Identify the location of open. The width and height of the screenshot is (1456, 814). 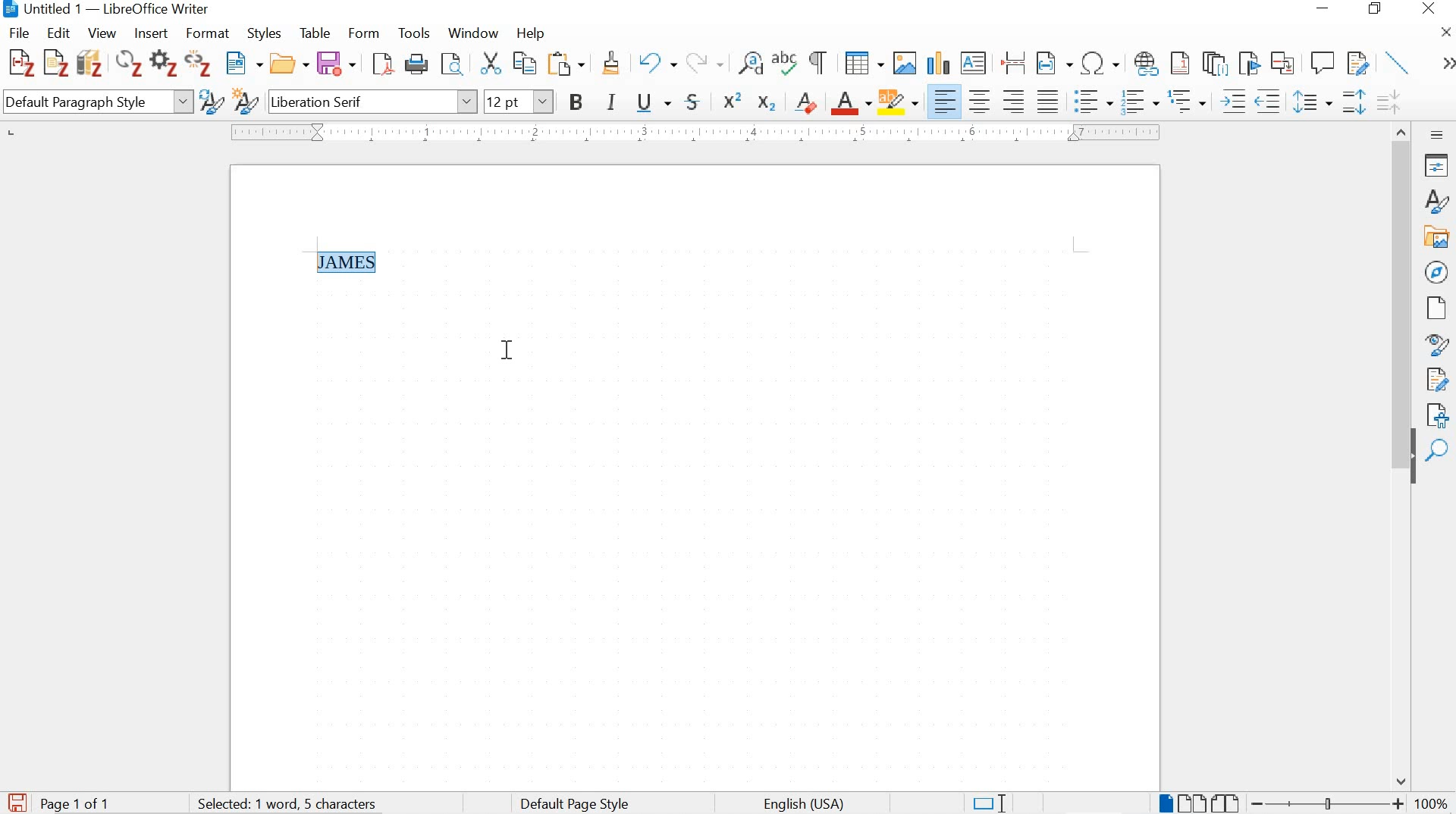
(290, 64).